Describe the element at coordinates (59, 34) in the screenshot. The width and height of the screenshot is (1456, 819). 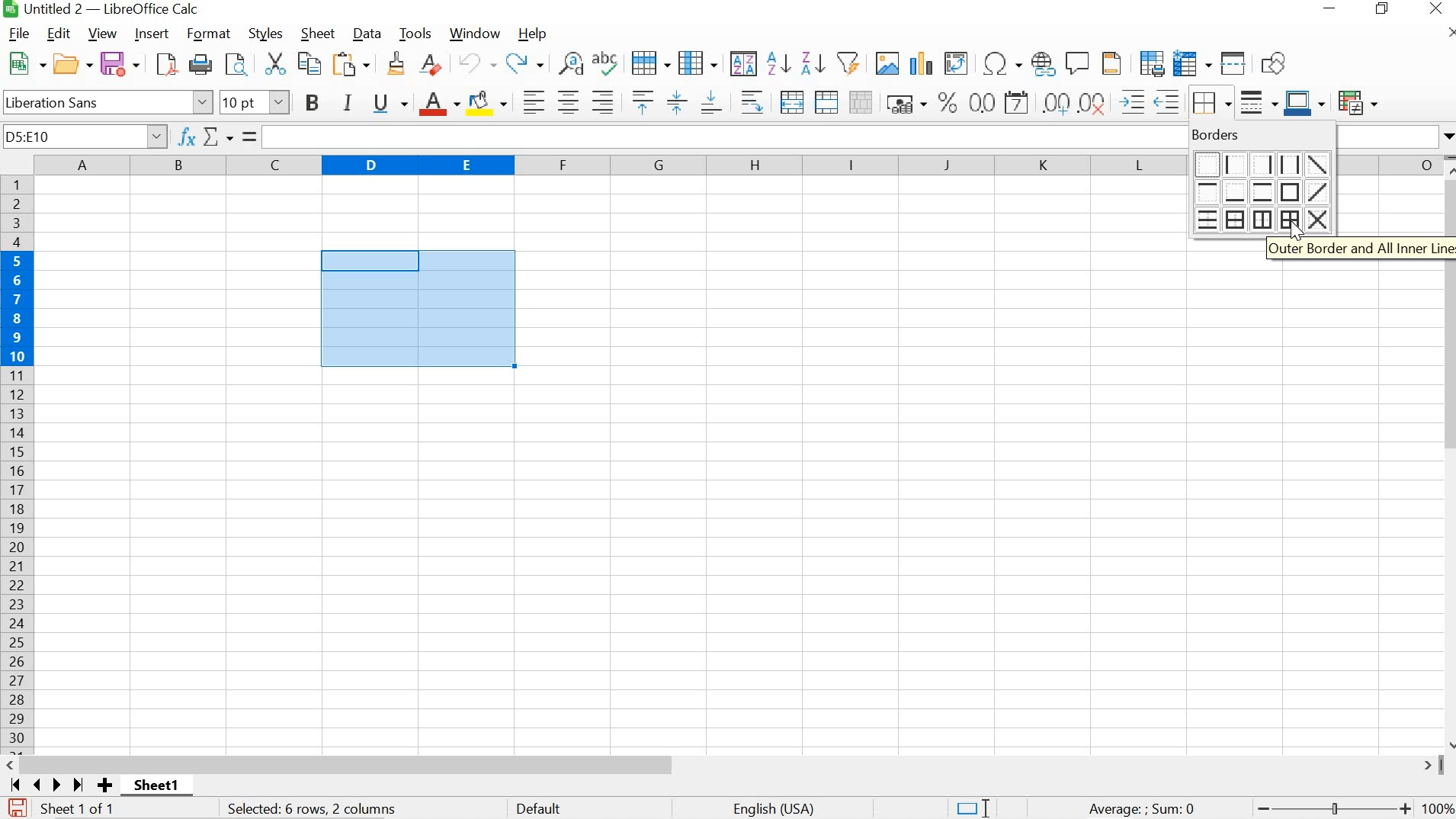
I see `EDIT` at that location.